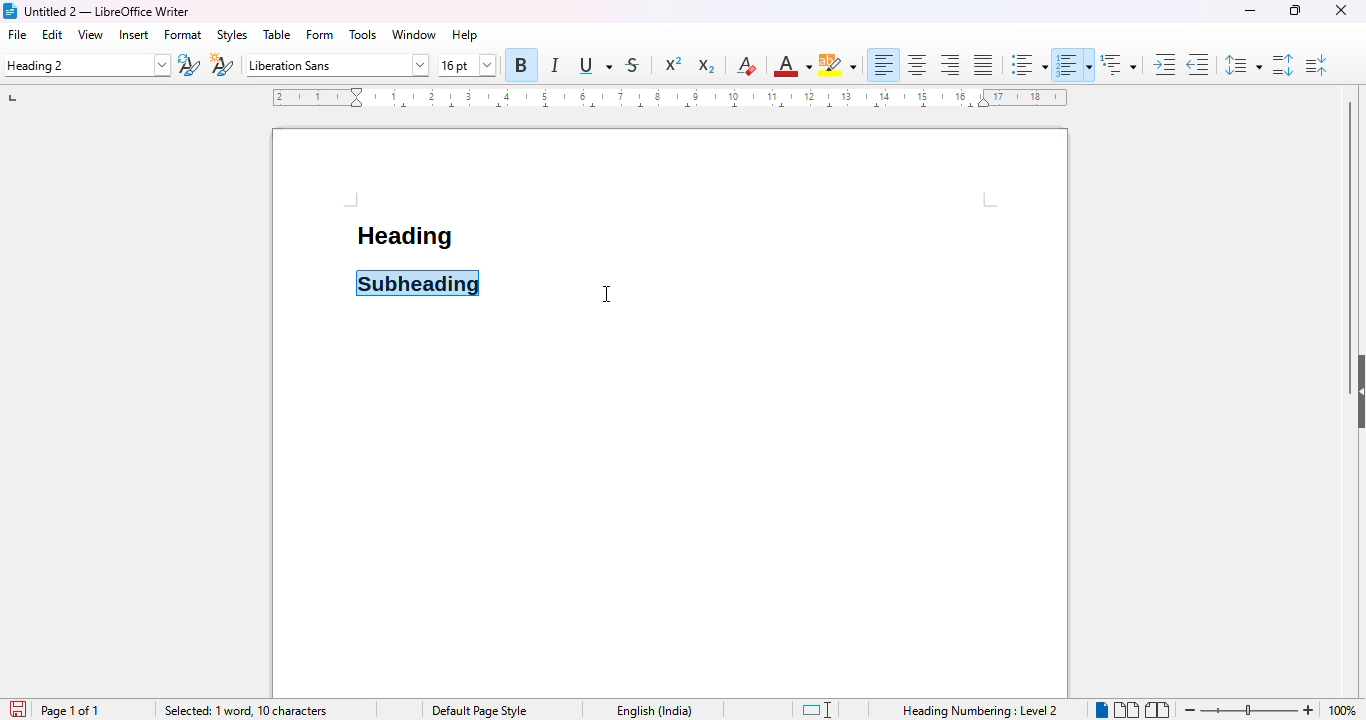 This screenshot has height=720, width=1366. Describe the element at coordinates (521, 65) in the screenshot. I see `bold` at that location.